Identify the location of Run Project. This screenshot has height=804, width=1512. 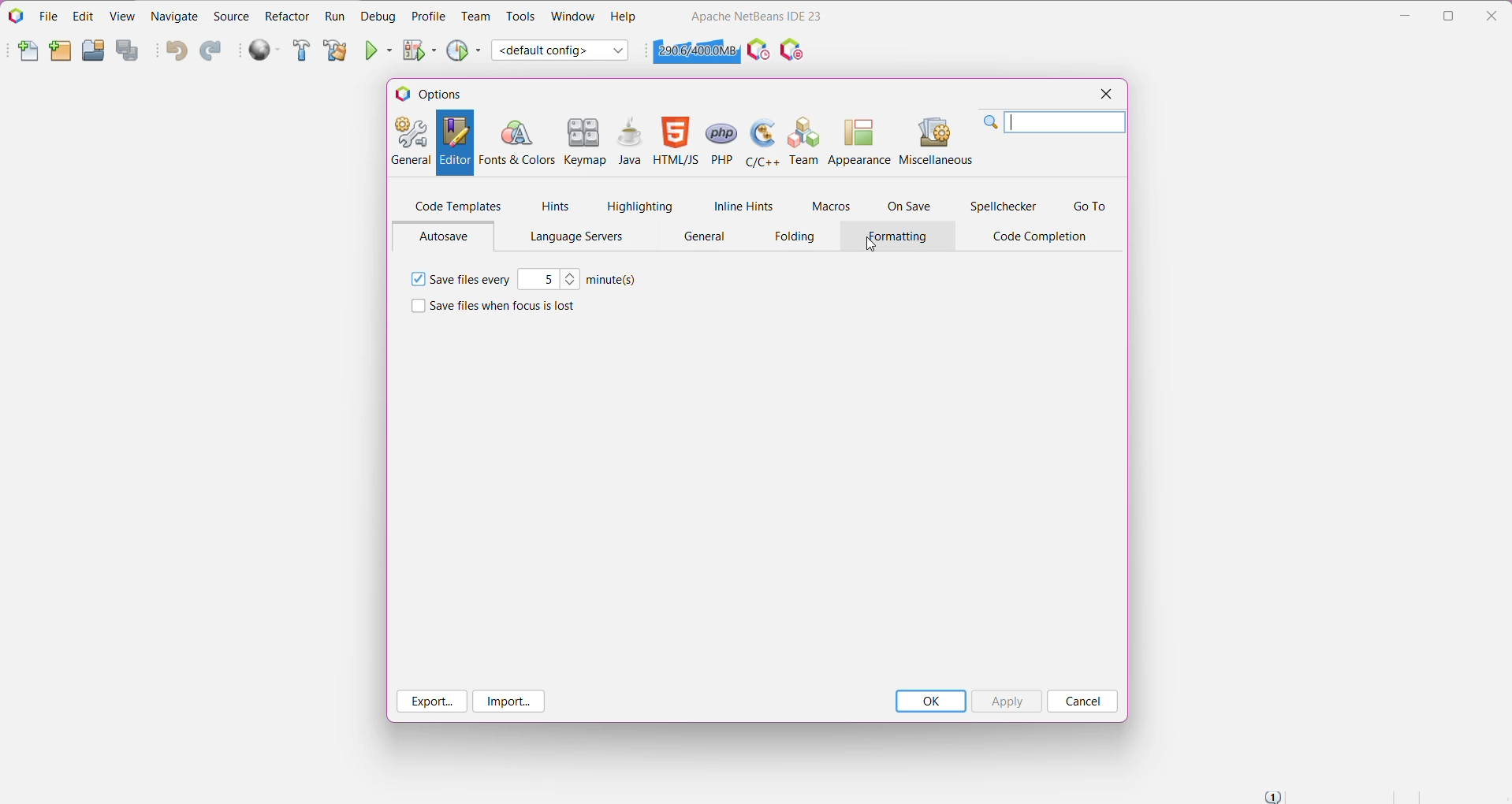
(380, 50).